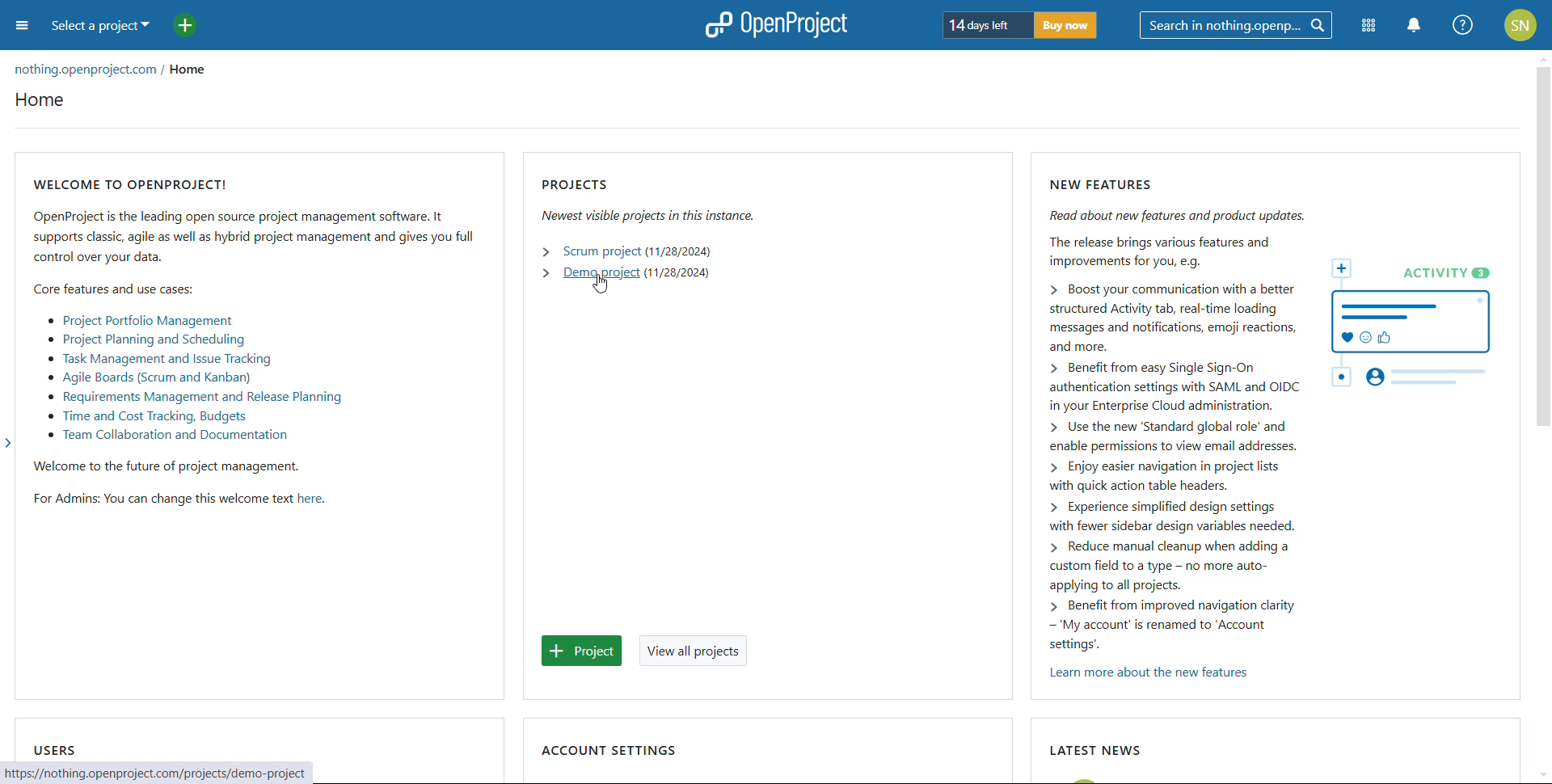  What do you see at coordinates (1236, 25) in the screenshot?
I see `search` at bounding box center [1236, 25].